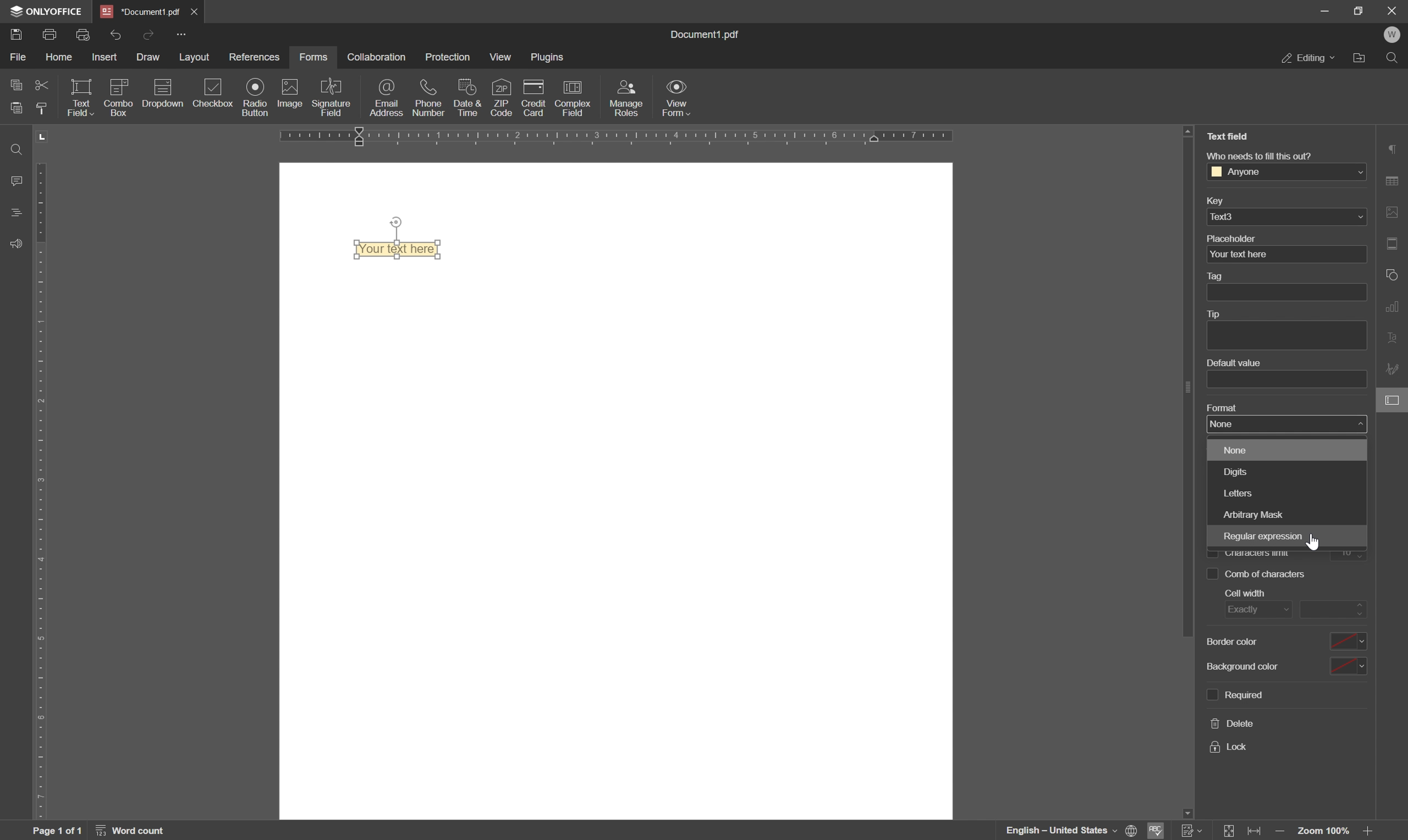  Describe the element at coordinates (1071, 830) in the screenshot. I see `set document language` at that location.